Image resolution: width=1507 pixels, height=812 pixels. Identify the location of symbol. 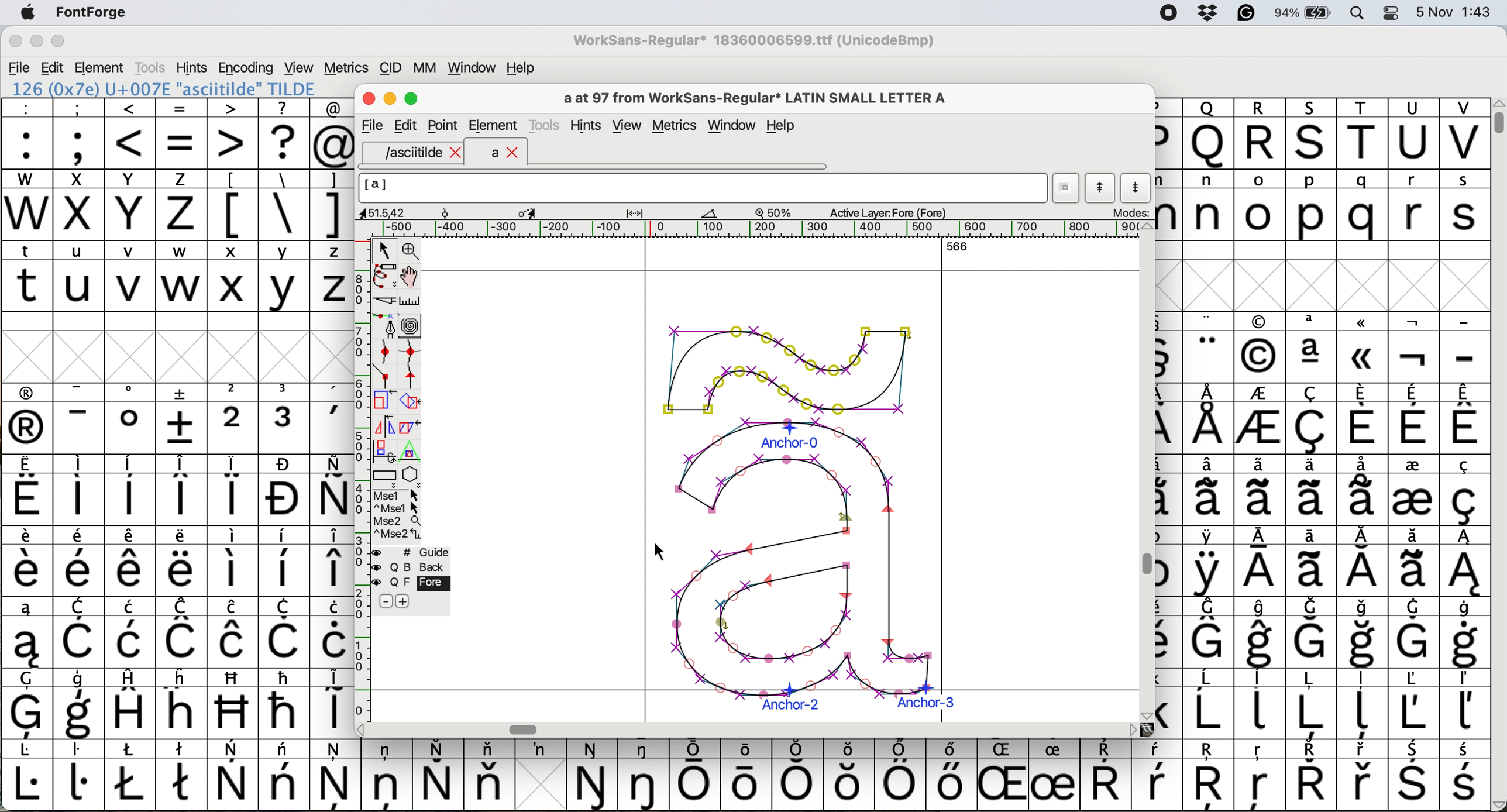
(1315, 489).